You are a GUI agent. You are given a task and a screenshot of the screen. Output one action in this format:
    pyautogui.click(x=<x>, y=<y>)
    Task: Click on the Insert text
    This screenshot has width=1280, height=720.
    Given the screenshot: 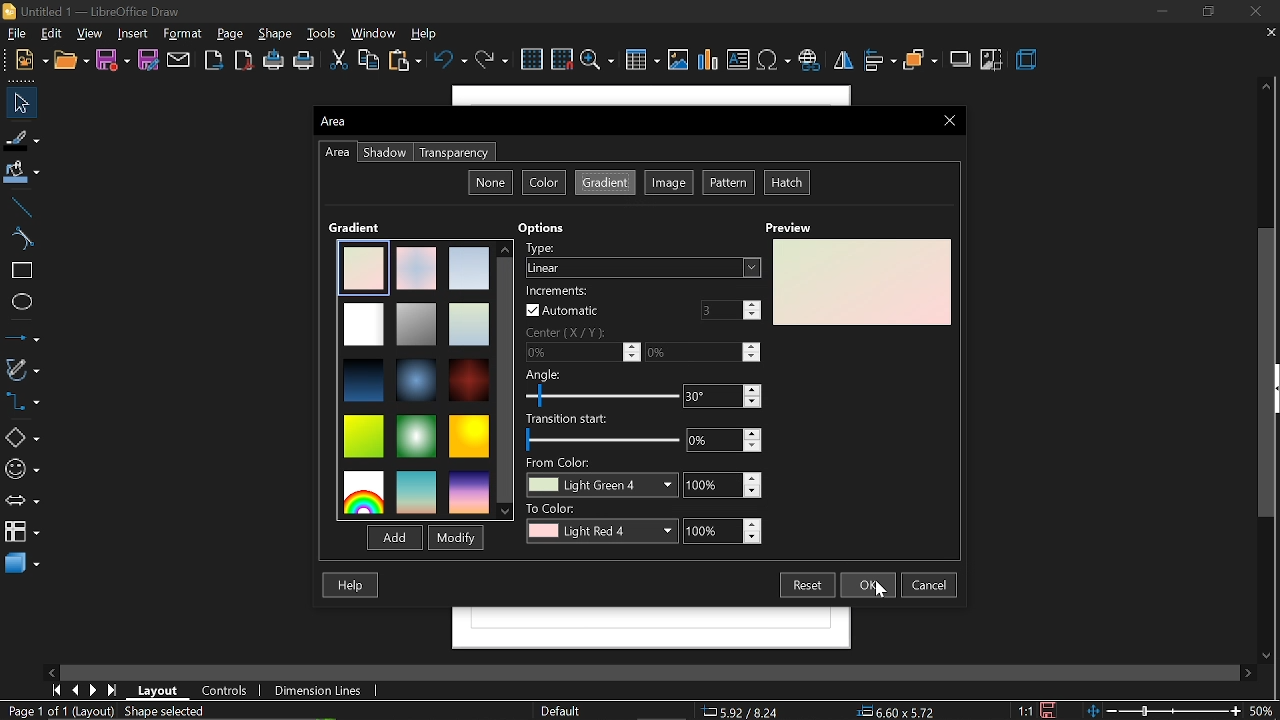 What is the action you would take?
    pyautogui.click(x=738, y=61)
    